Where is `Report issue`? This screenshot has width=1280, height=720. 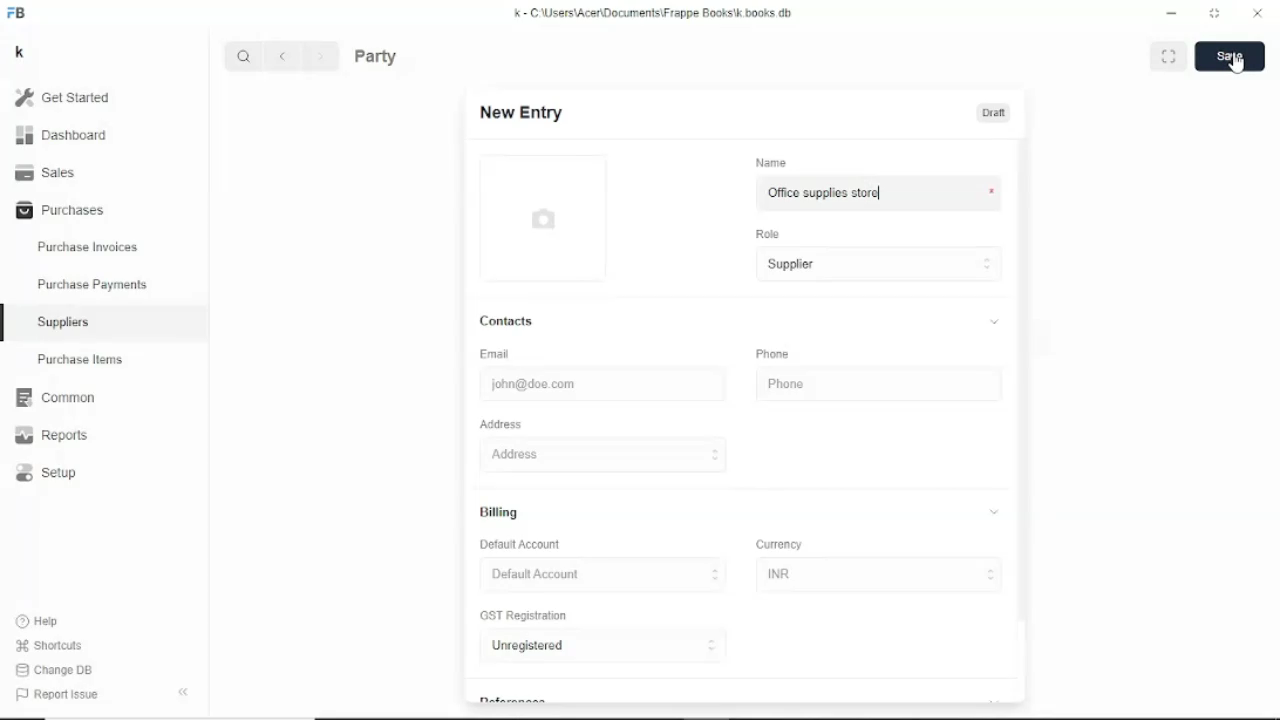
Report issue is located at coordinates (56, 696).